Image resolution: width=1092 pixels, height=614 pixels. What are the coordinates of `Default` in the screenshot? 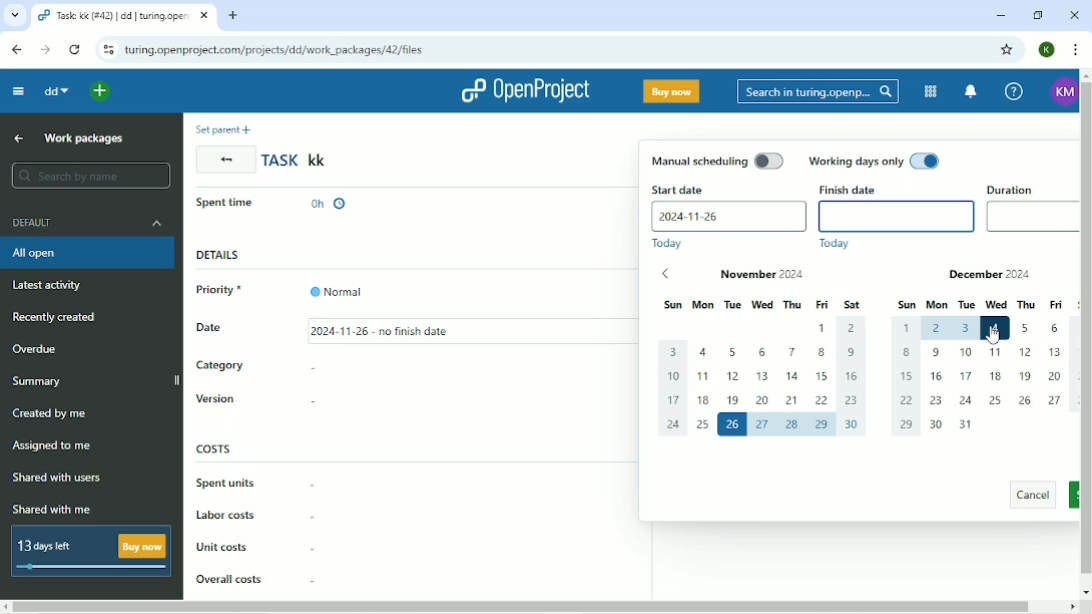 It's located at (85, 222).